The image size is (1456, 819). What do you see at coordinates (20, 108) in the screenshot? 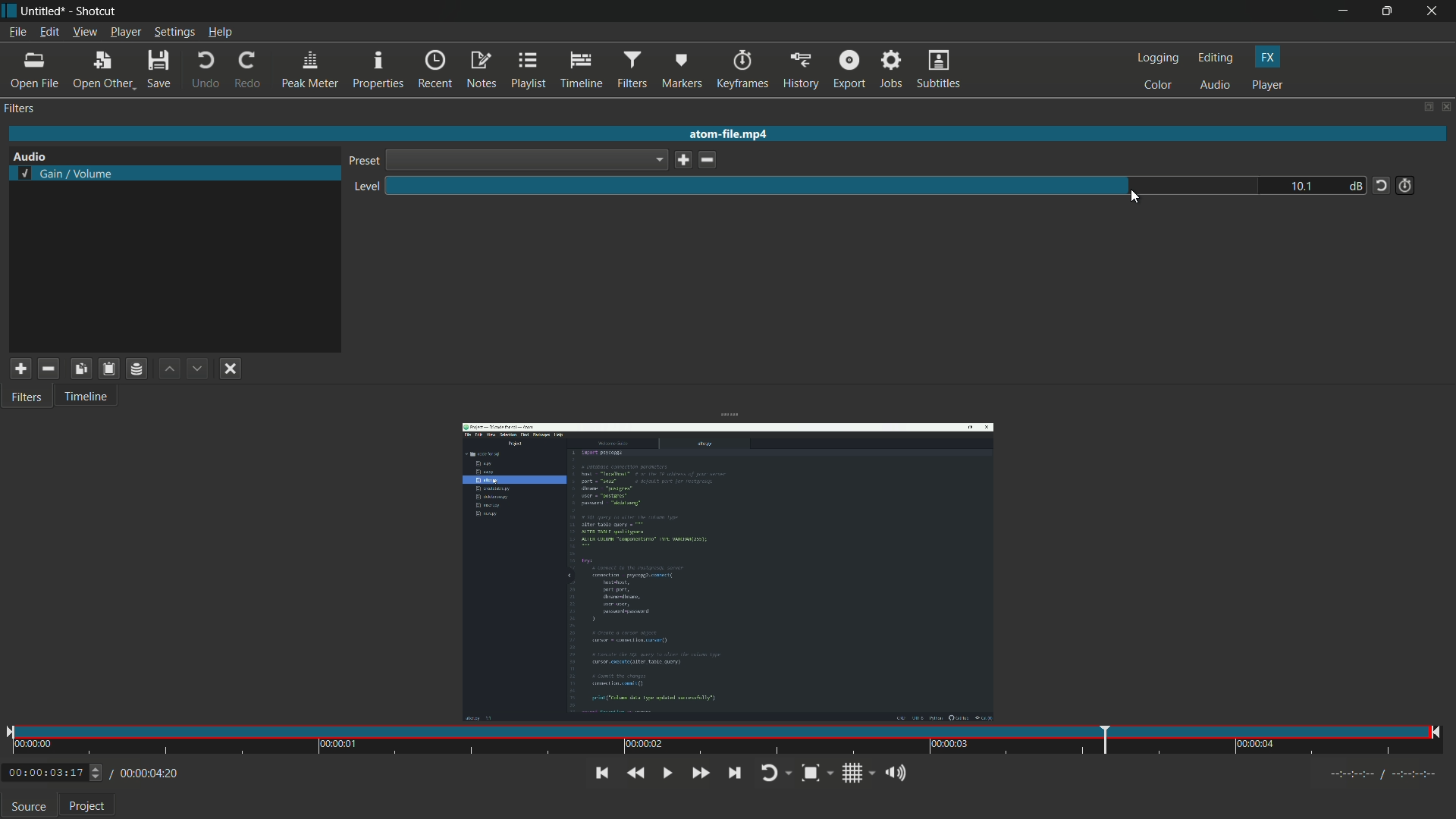
I see `filter` at bounding box center [20, 108].